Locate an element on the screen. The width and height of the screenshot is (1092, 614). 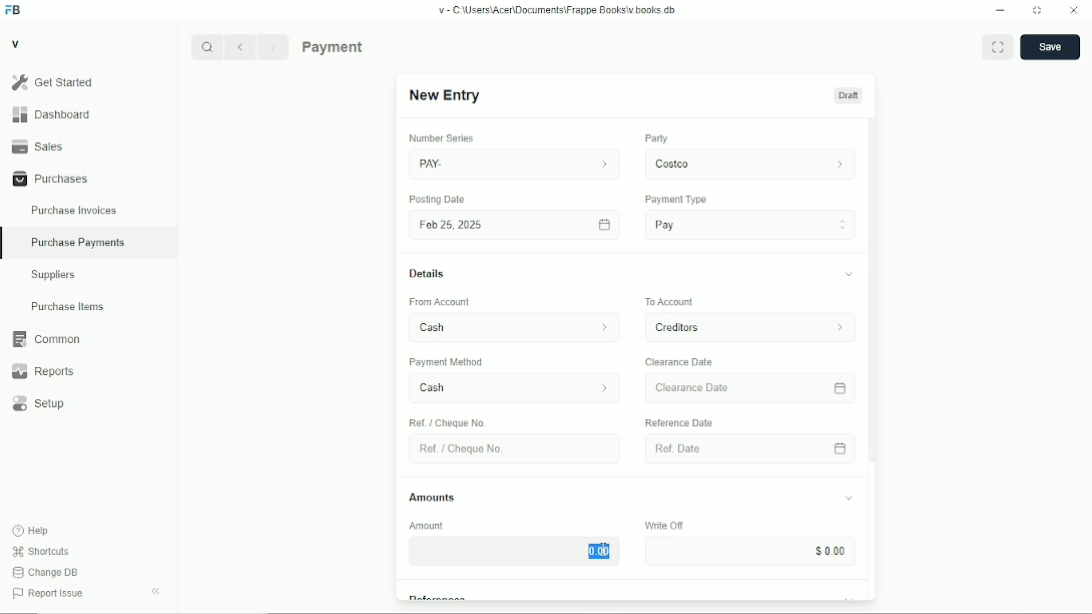
Pay is located at coordinates (750, 226).